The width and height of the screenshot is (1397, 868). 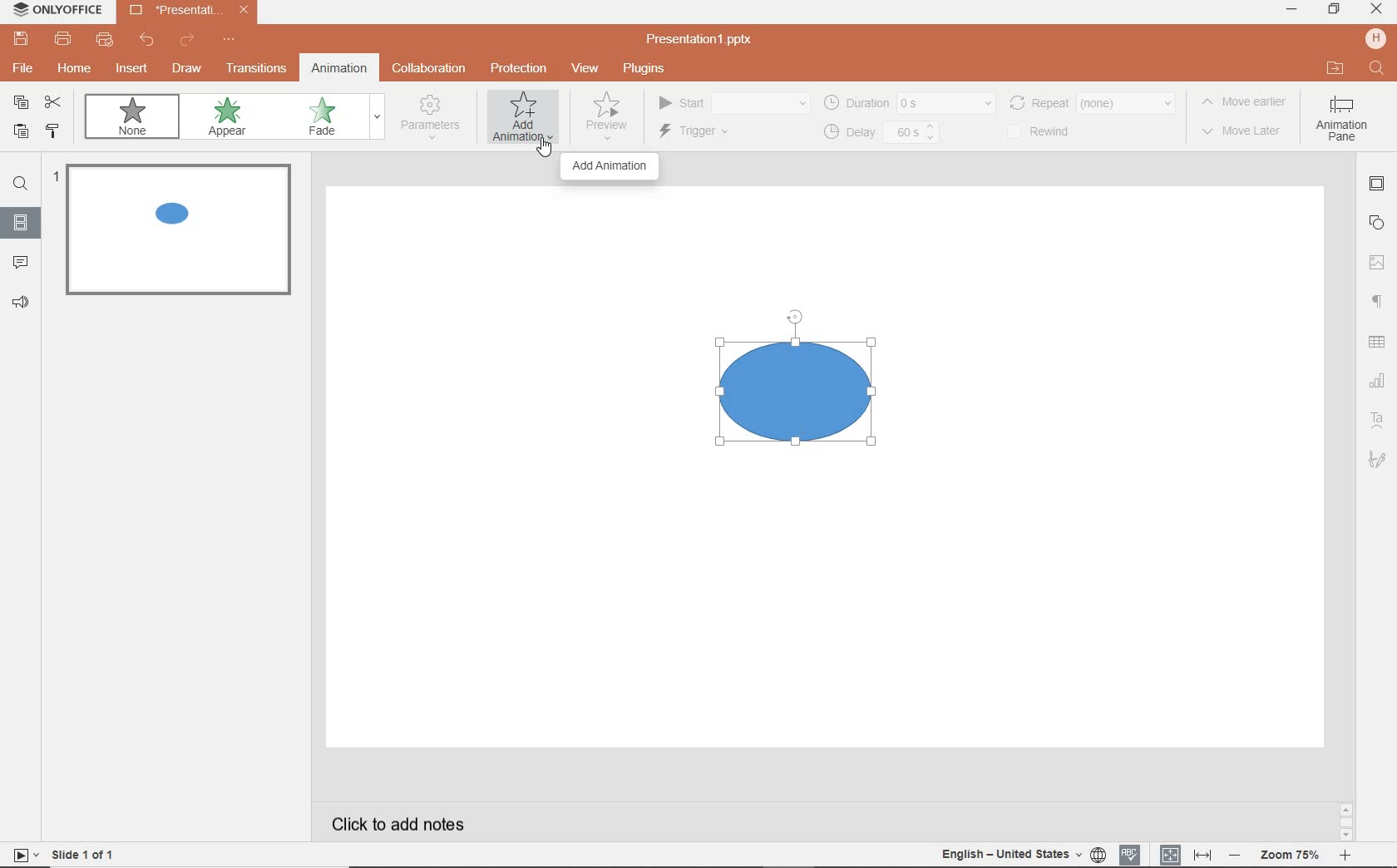 I want to click on FIND, so click(x=1379, y=71).